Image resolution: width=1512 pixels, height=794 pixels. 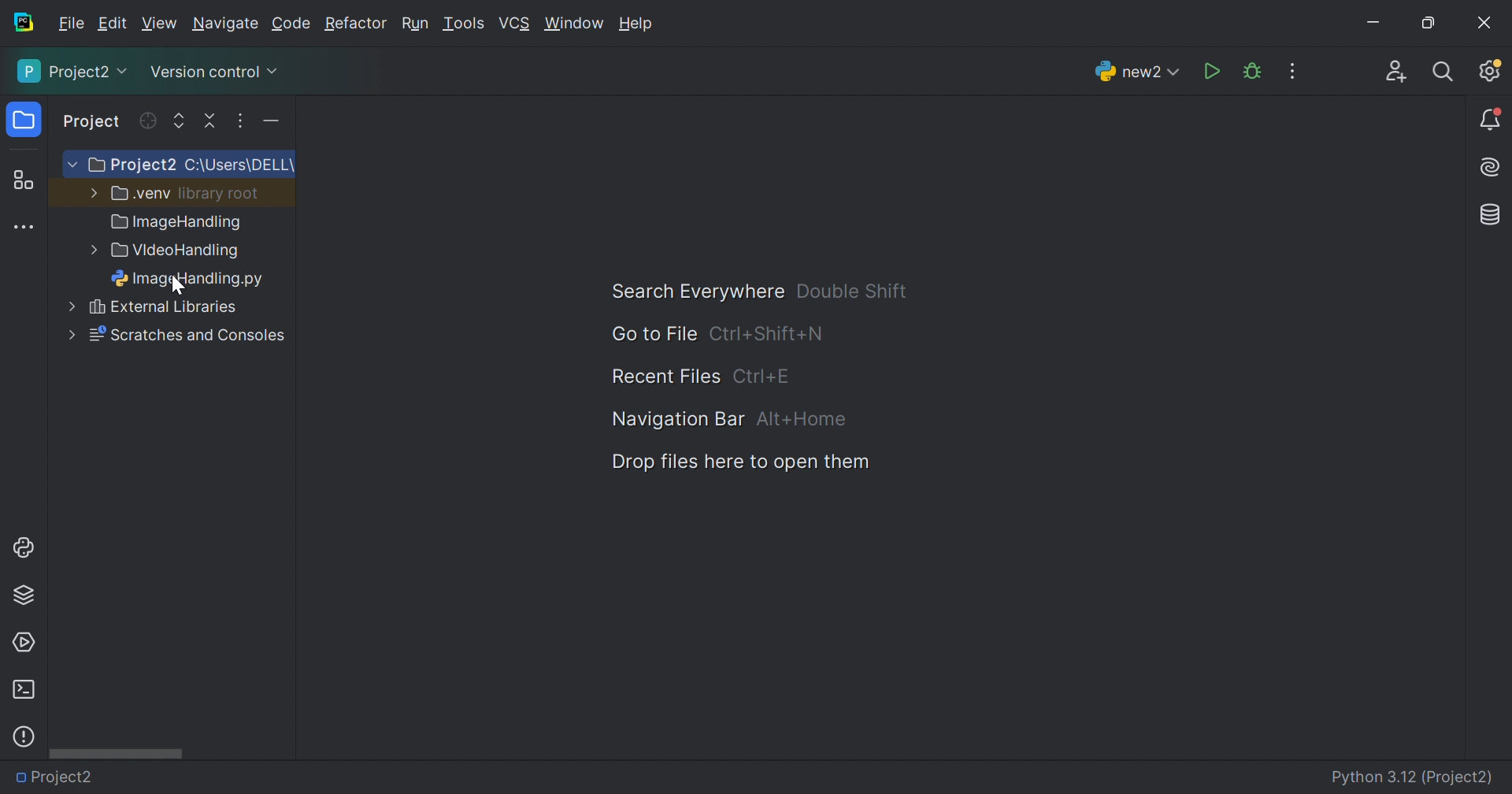 What do you see at coordinates (180, 122) in the screenshot?
I see `Expand all` at bounding box center [180, 122].